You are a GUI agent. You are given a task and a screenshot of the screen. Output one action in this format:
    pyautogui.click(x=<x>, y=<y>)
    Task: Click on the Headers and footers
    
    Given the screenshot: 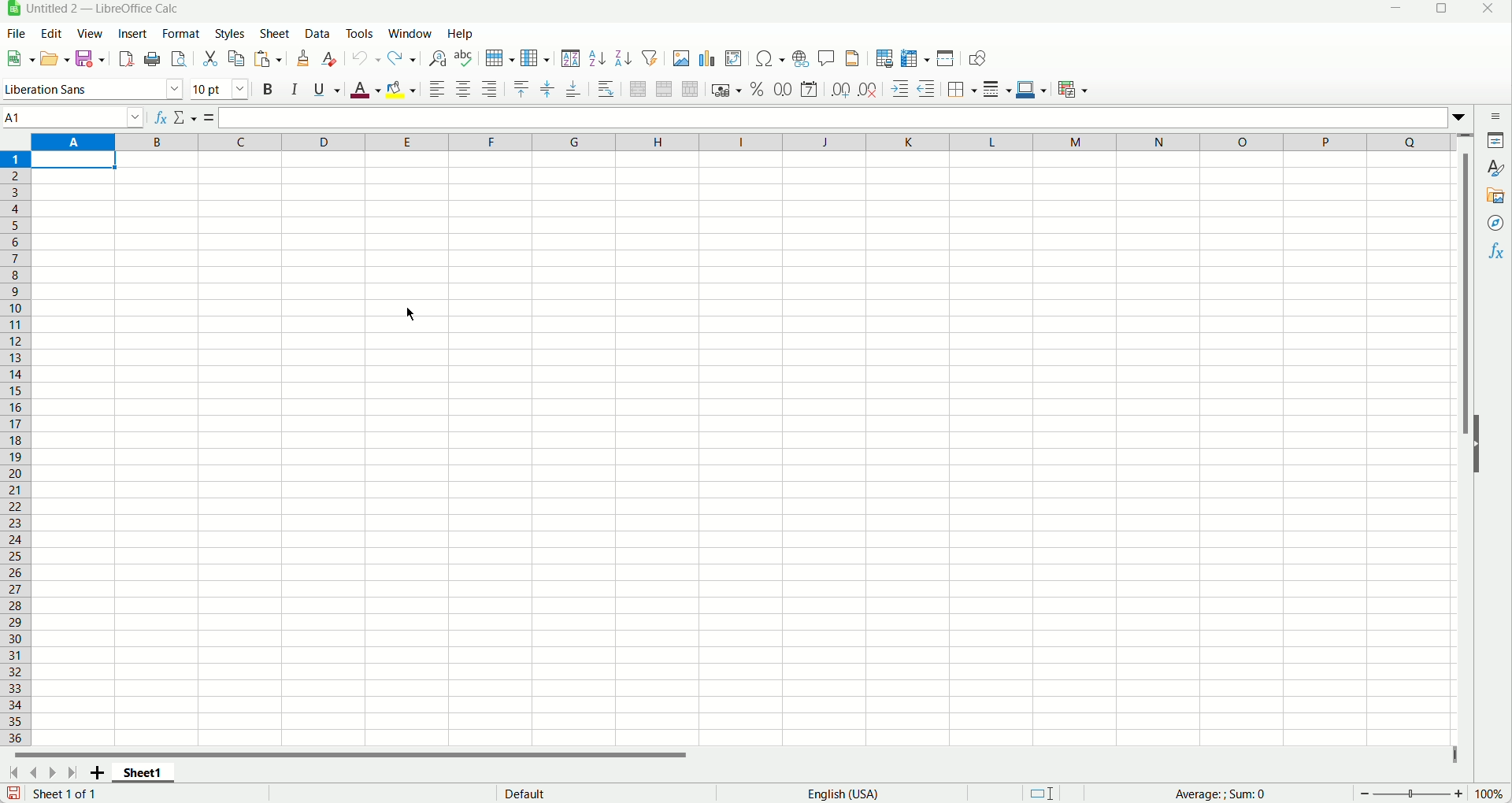 What is the action you would take?
    pyautogui.click(x=852, y=57)
    